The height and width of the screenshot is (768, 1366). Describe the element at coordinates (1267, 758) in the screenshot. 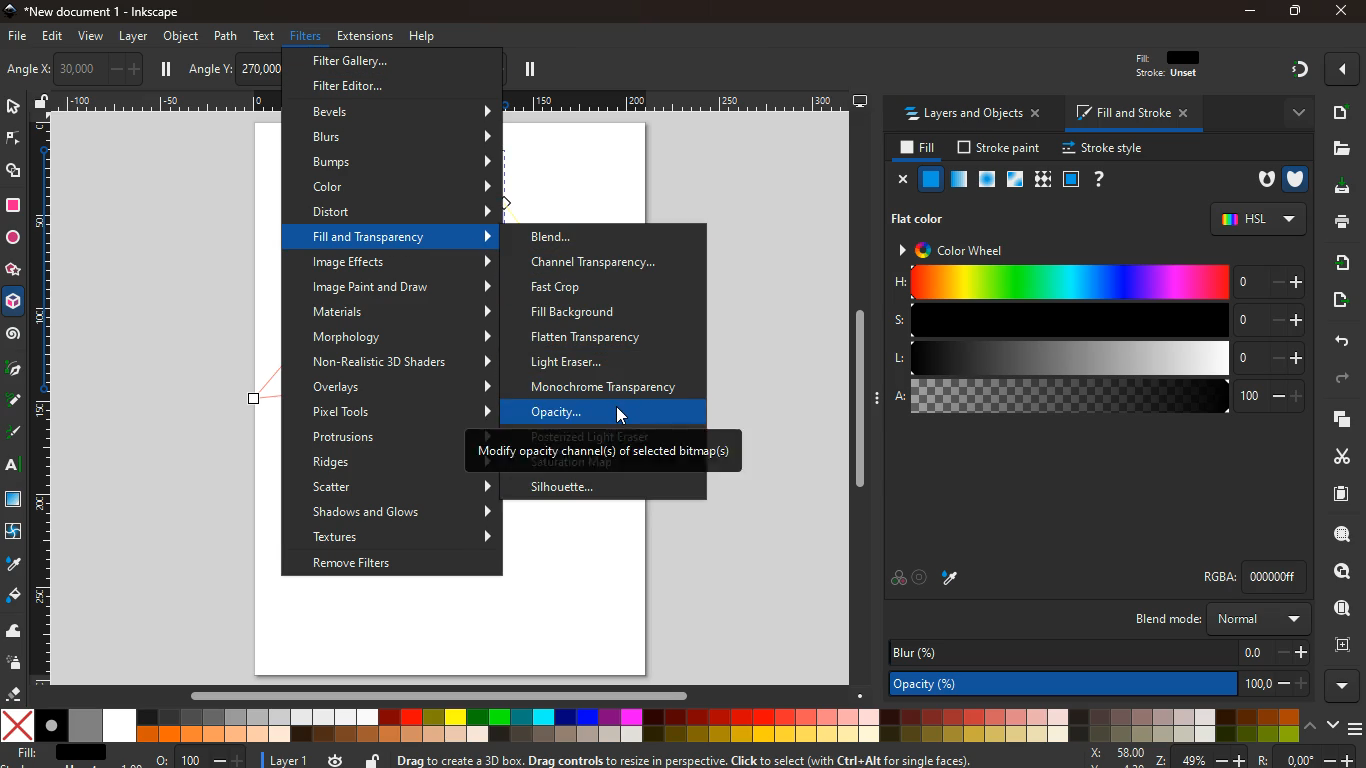

I see `` at that location.